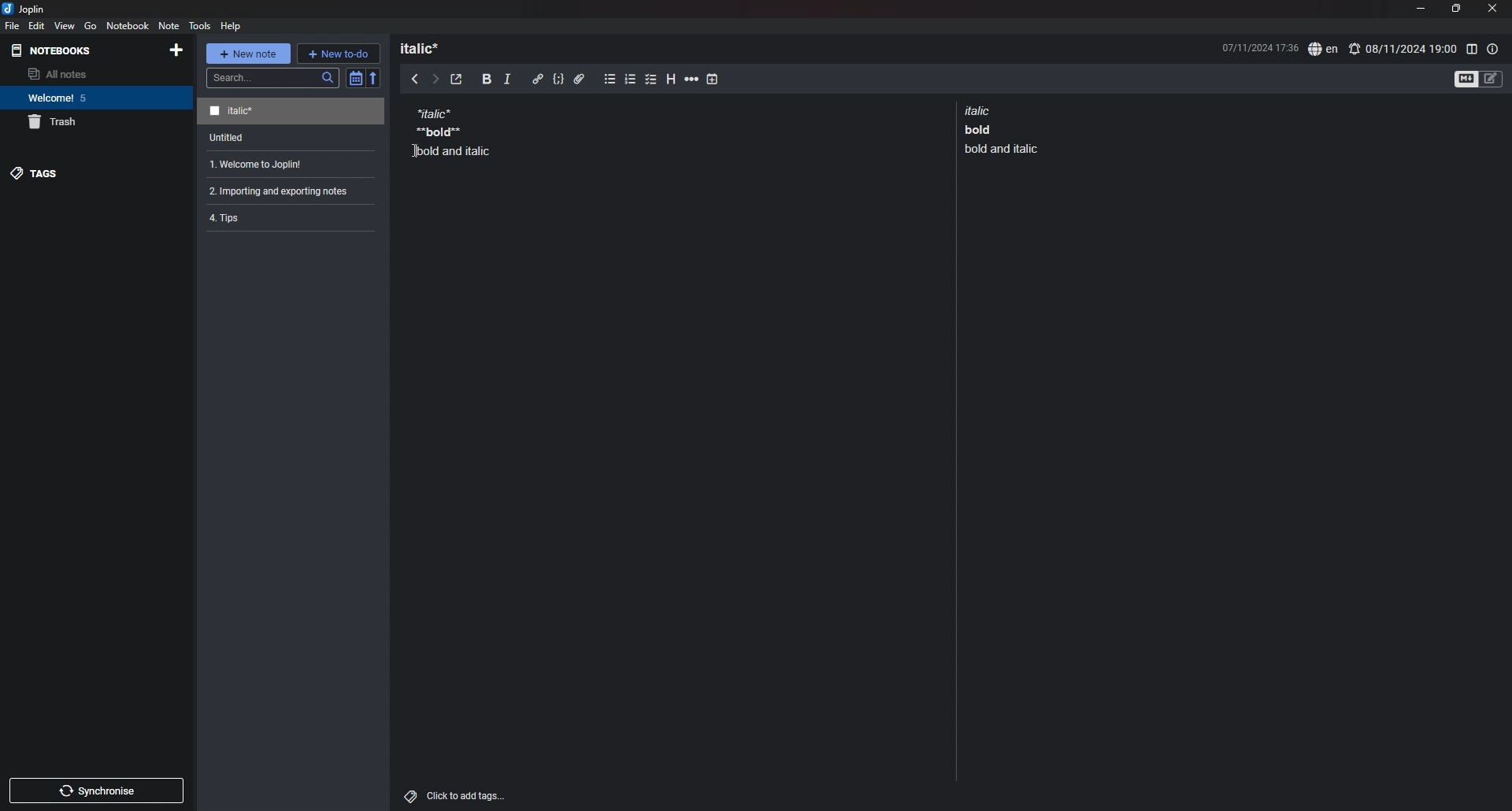 This screenshot has height=811, width=1512. I want to click on toggle sort order, so click(355, 78).